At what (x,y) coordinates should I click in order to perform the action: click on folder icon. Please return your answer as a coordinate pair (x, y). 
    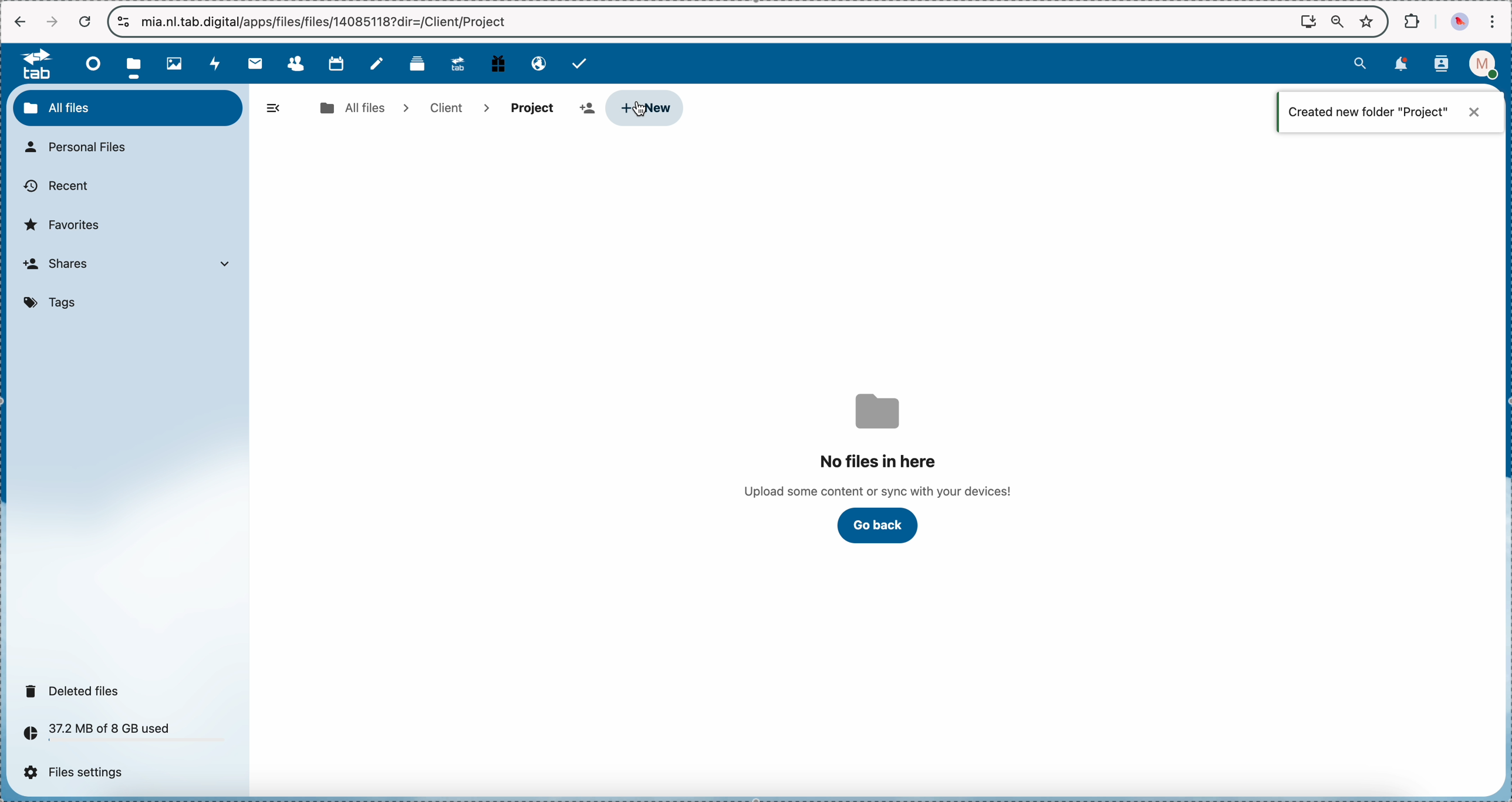
    Looking at the image, I should click on (875, 412).